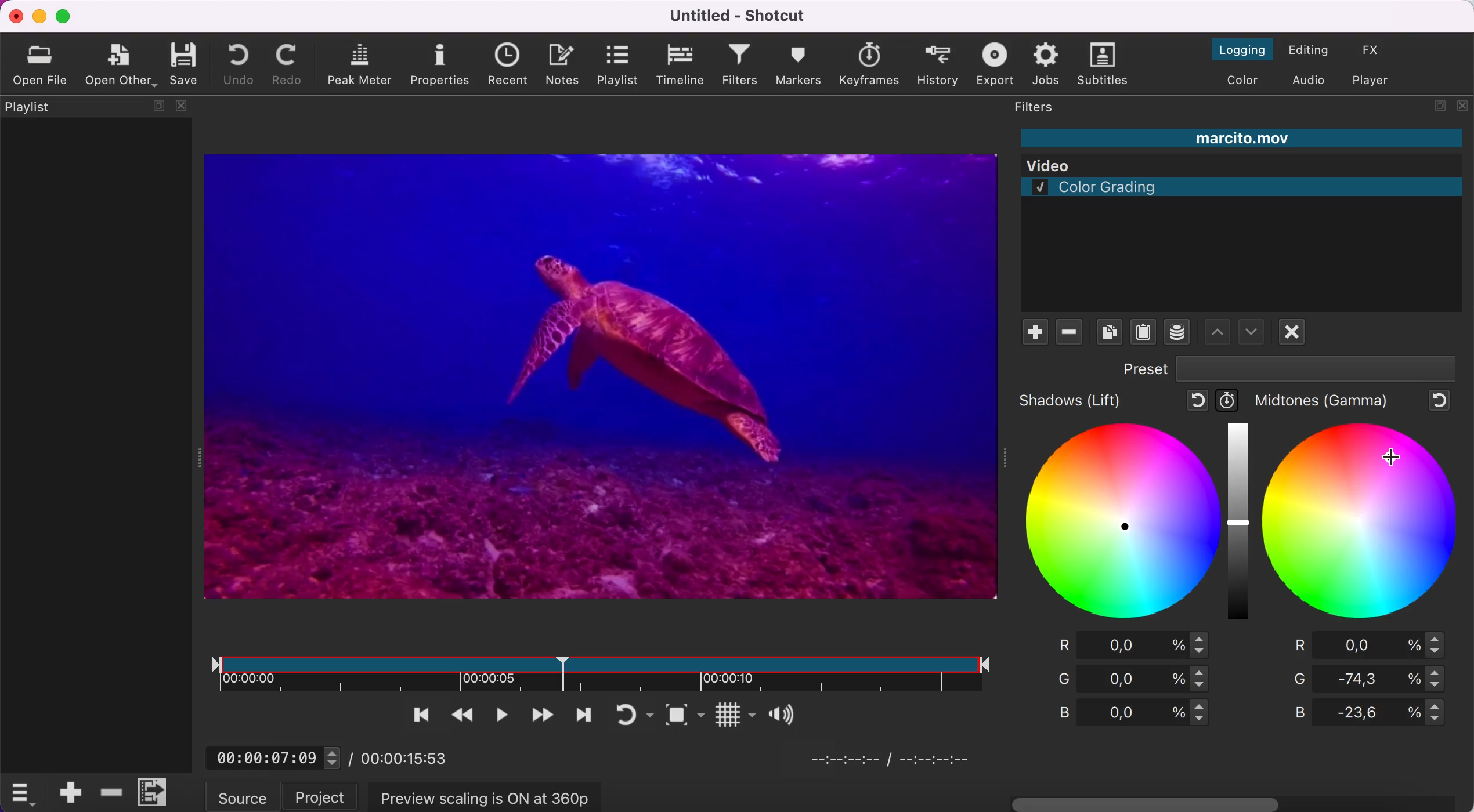 This screenshot has height=812, width=1474. I want to click on maximize, so click(68, 17).